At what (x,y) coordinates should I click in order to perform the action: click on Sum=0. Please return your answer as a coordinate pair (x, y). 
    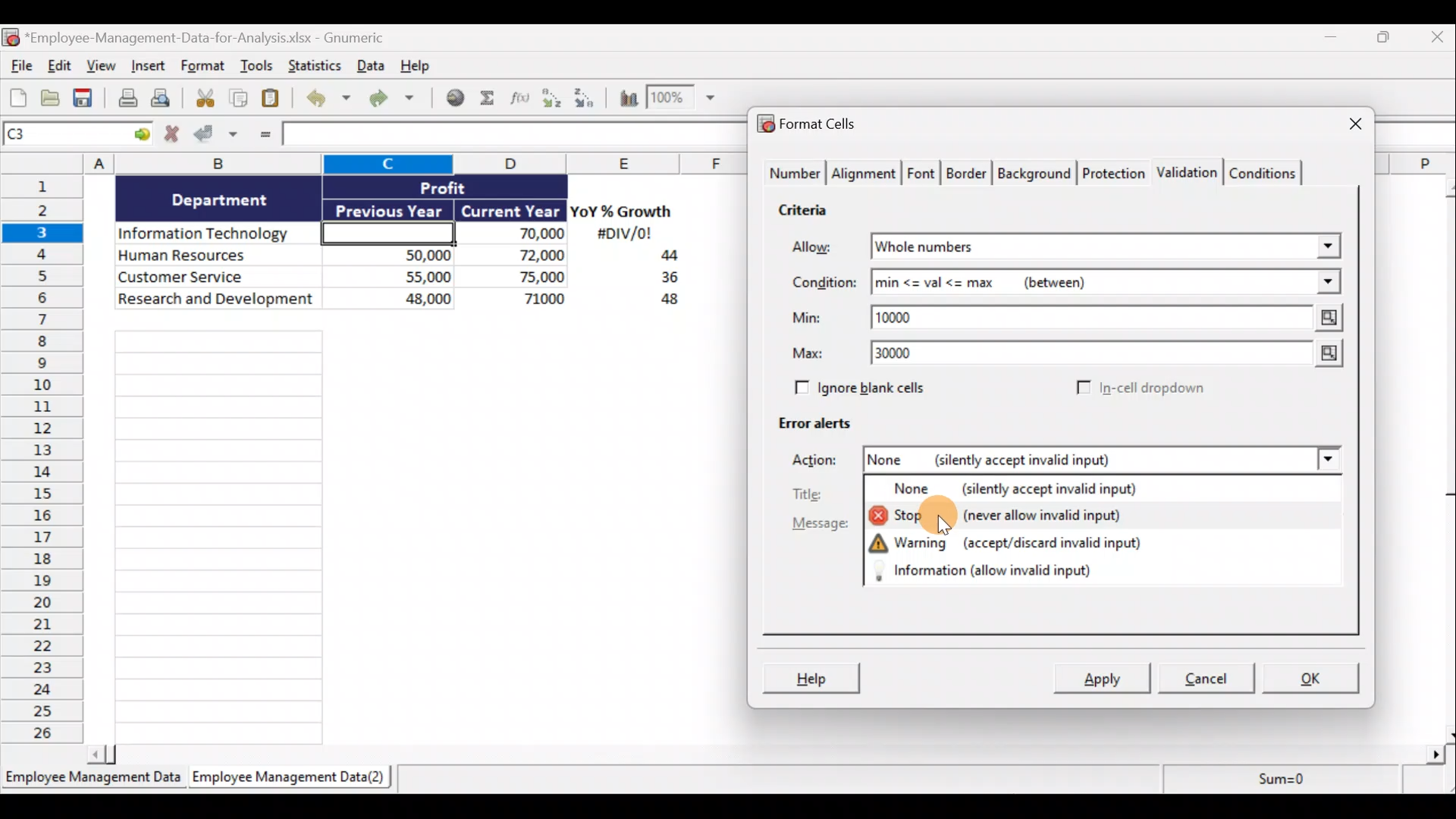
    Looking at the image, I should click on (1275, 783).